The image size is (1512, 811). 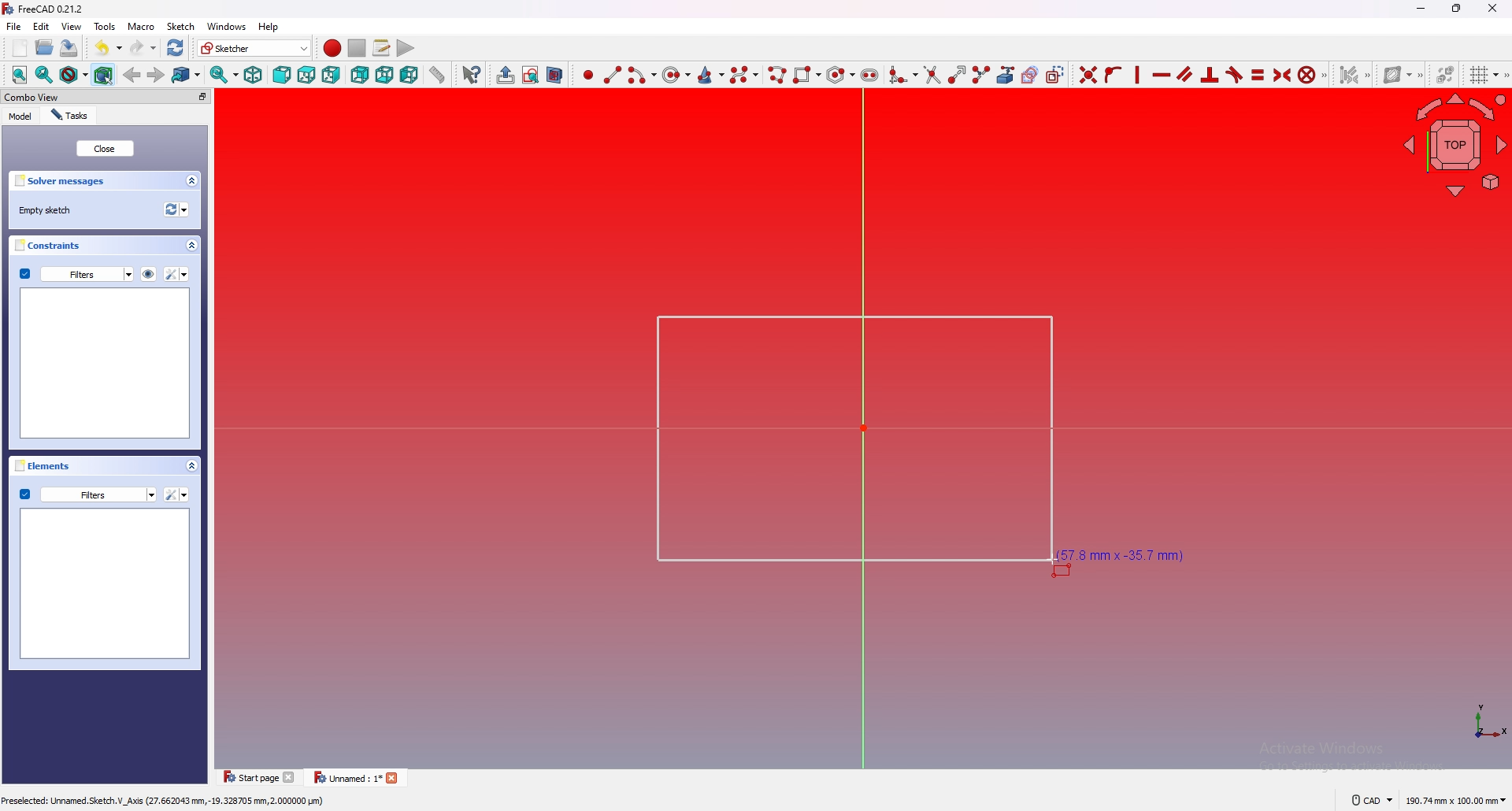 I want to click on synced view, so click(x=225, y=75).